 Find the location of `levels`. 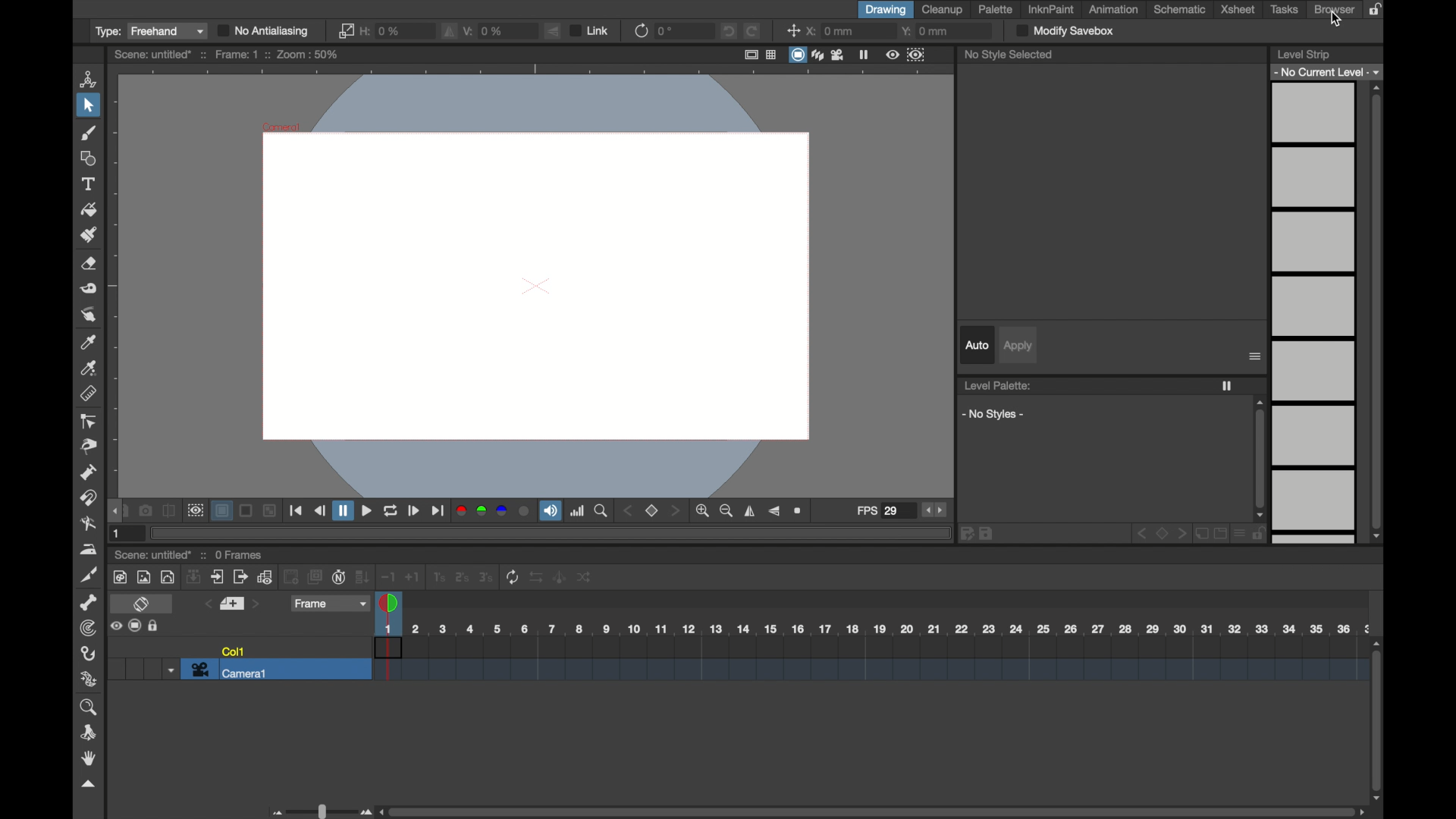

levels is located at coordinates (1314, 315).